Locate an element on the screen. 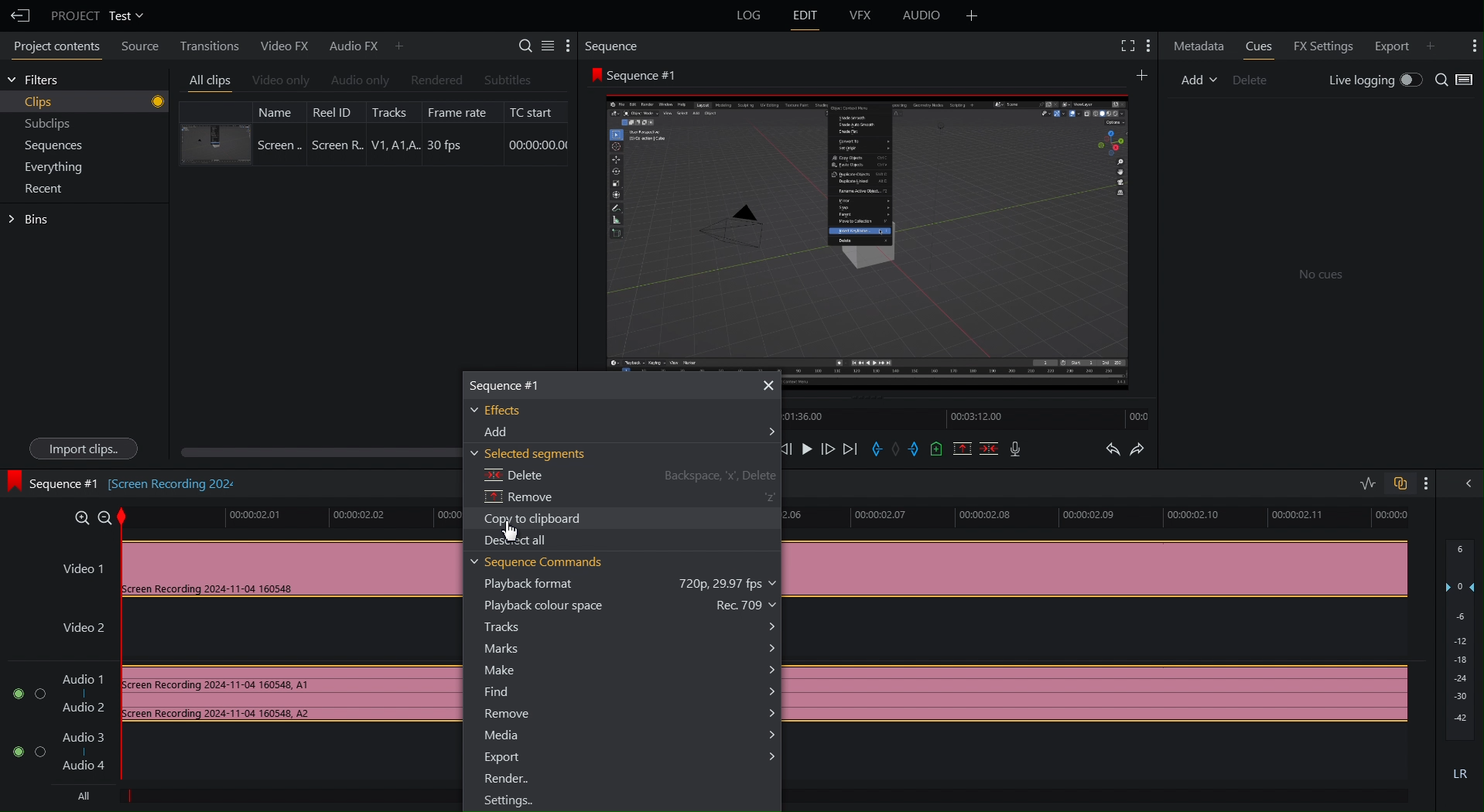  Sequence #1 is located at coordinates (641, 73).